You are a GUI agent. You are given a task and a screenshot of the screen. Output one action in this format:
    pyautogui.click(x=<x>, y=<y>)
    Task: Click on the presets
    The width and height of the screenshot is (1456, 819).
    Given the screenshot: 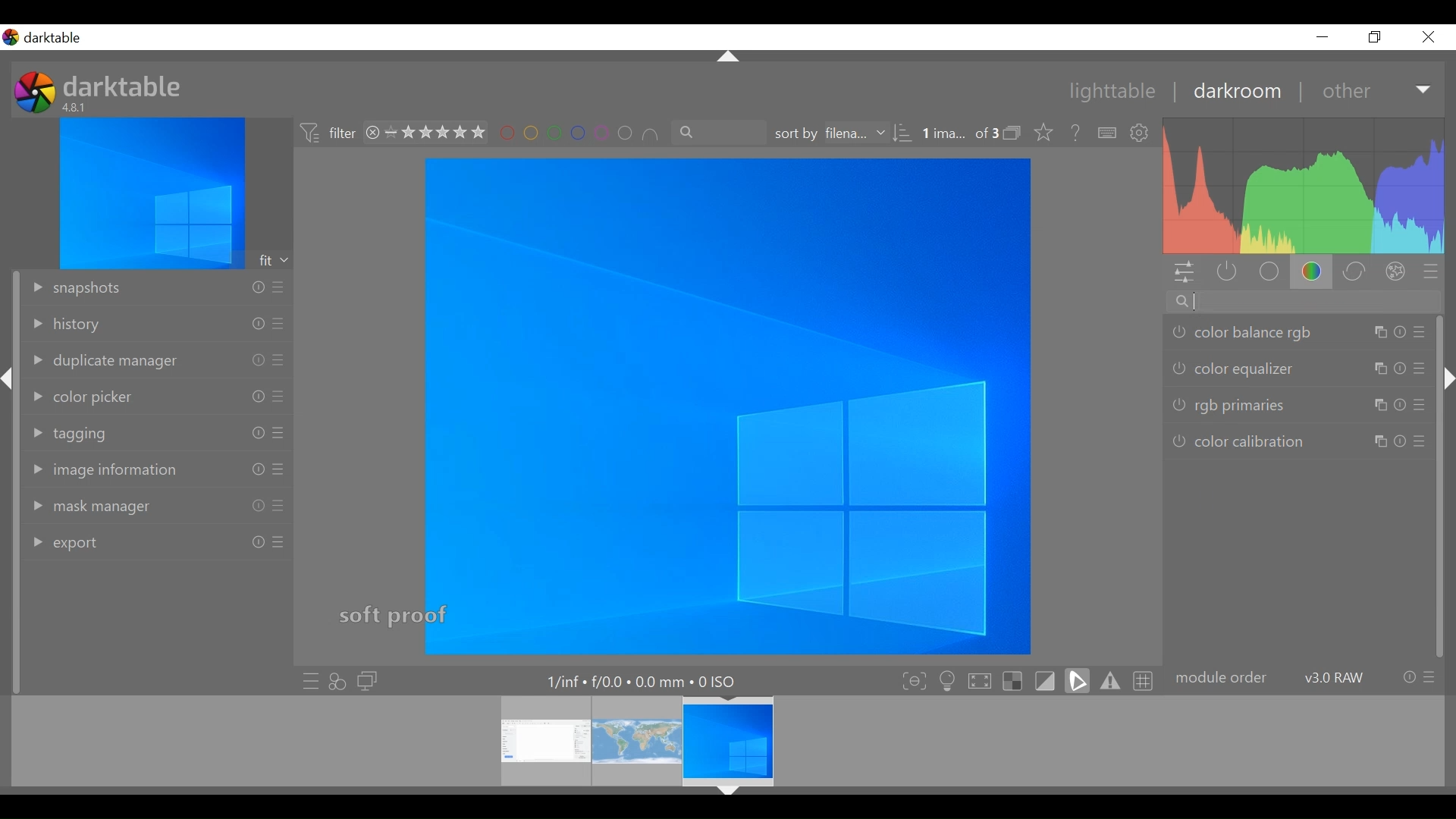 What is the action you would take?
    pyautogui.click(x=1420, y=441)
    